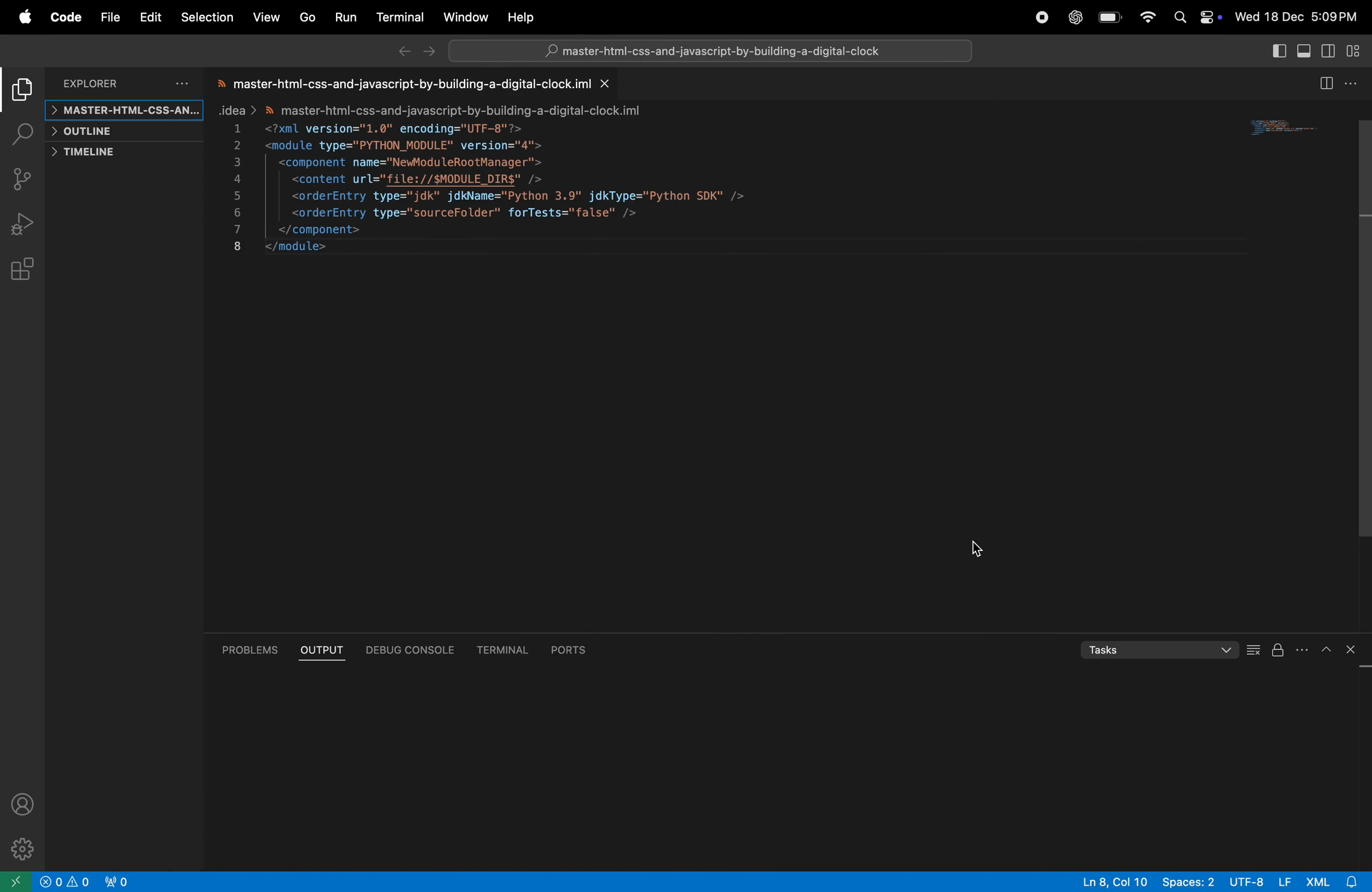  What do you see at coordinates (17, 881) in the screenshot?
I see `open window` at bounding box center [17, 881].